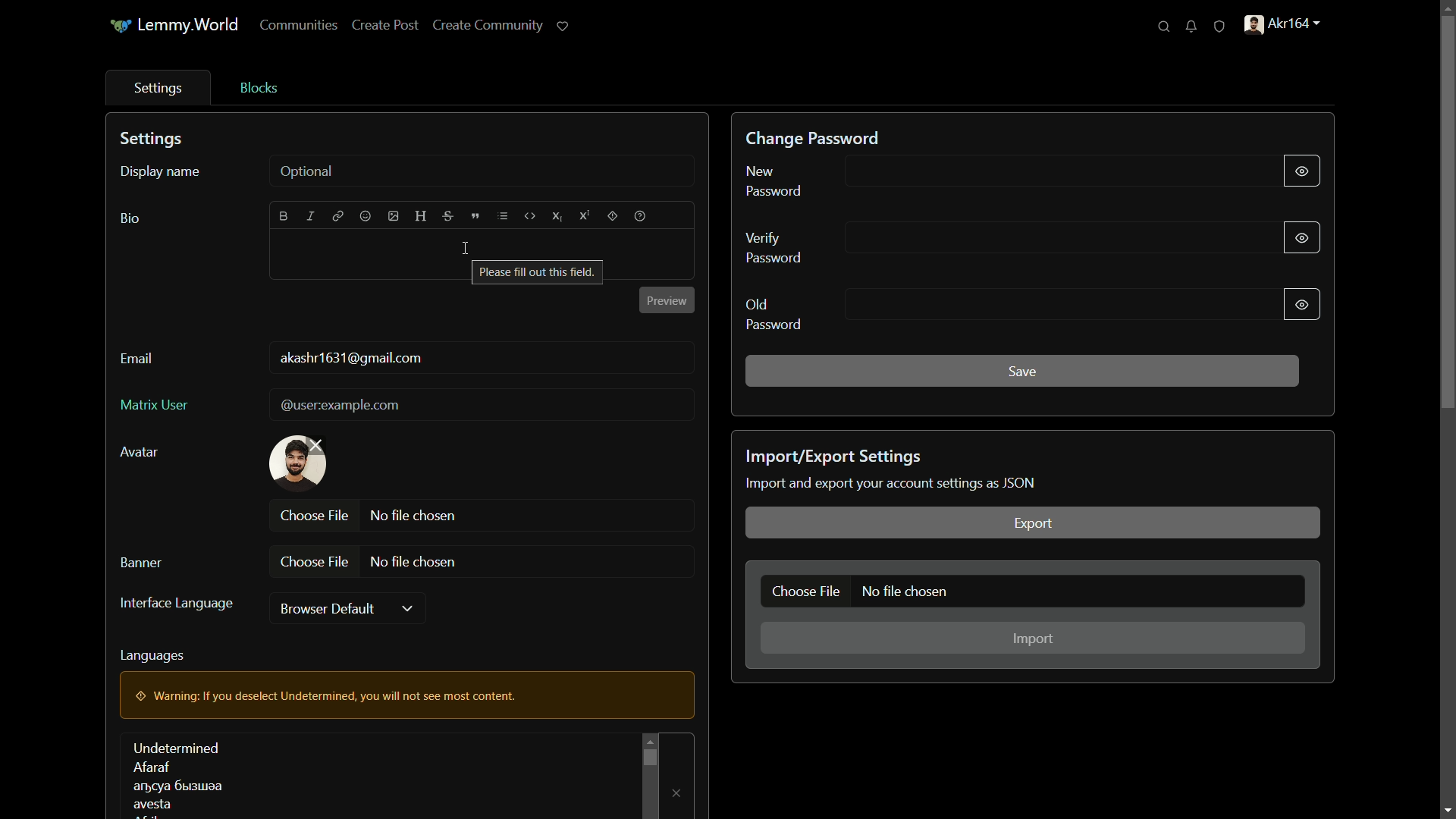 The height and width of the screenshot is (819, 1456). I want to click on banner, so click(140, 563).